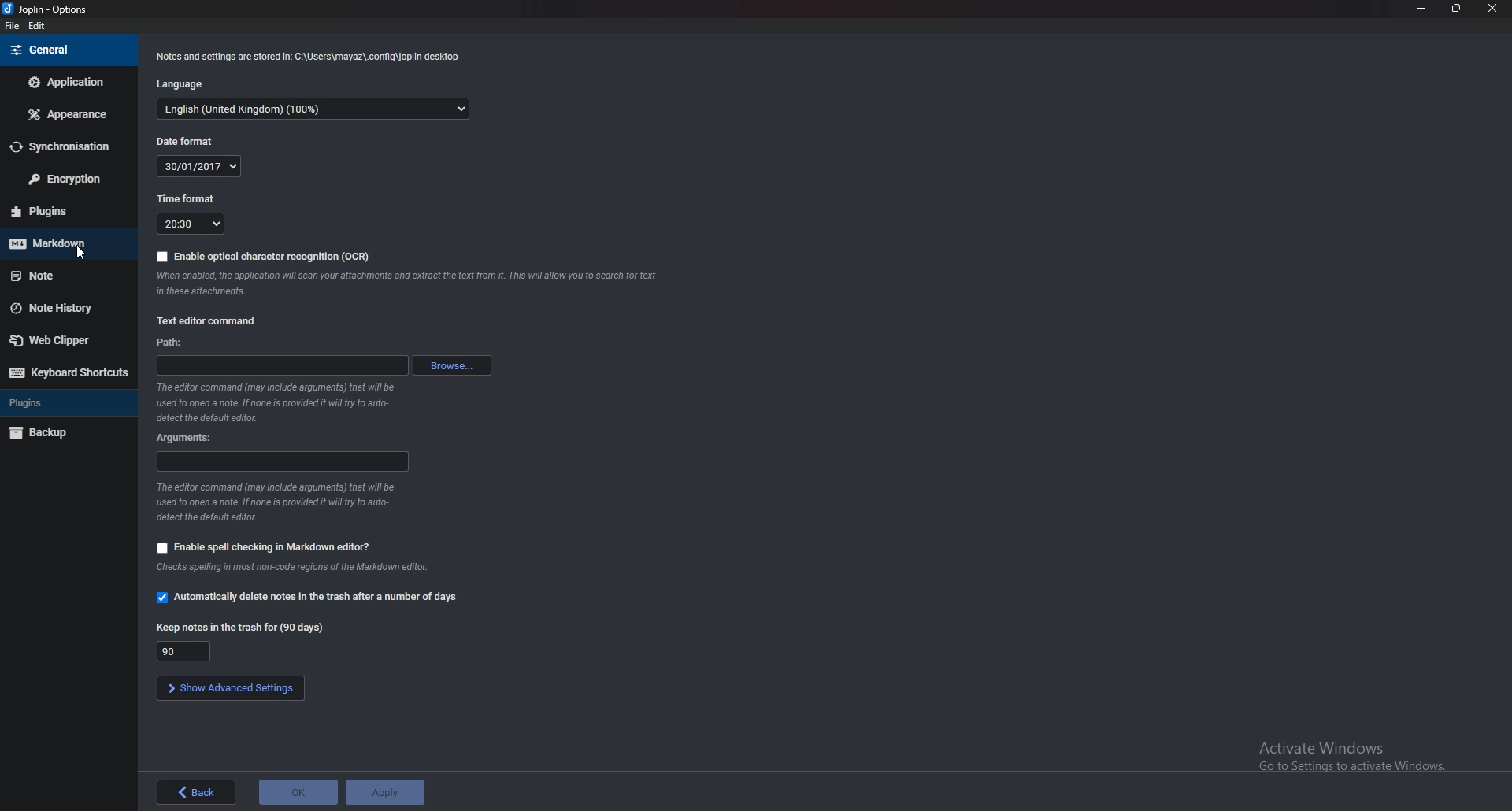 This screenshot has height=811, width=1512. I want to click on Time format, so click(187, 199).